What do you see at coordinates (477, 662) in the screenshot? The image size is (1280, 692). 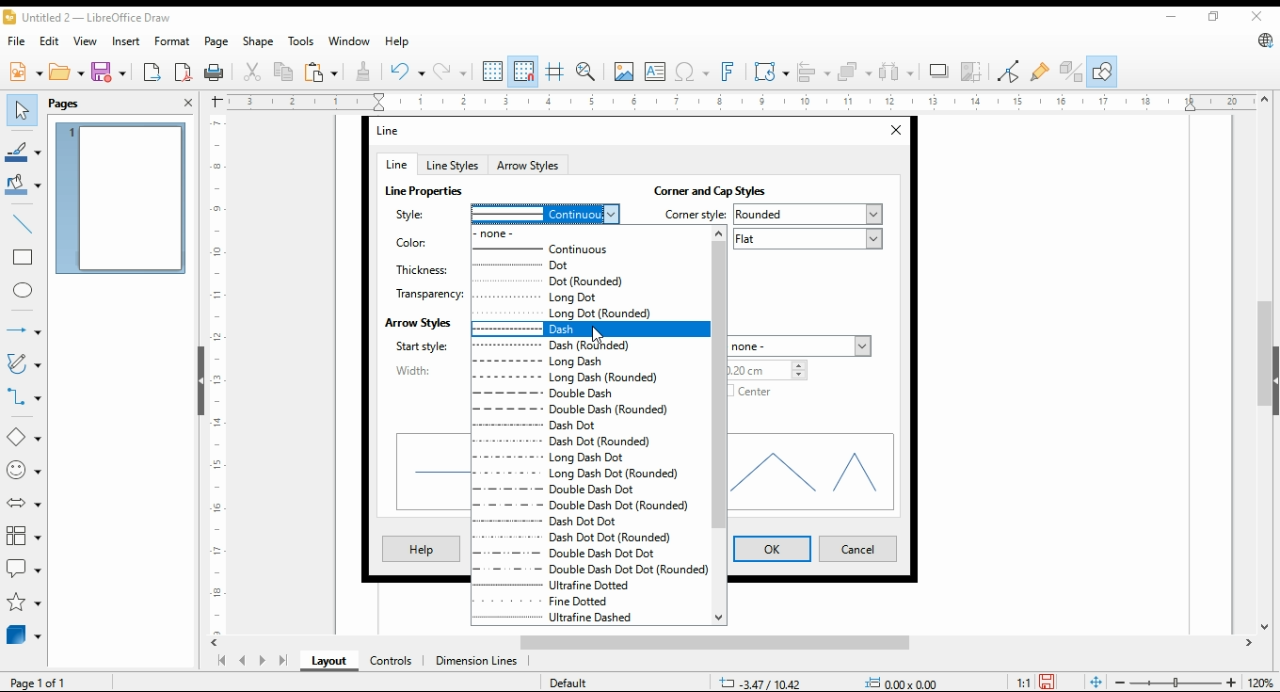 I see `dimension lines` at bounding box center [477, 662].